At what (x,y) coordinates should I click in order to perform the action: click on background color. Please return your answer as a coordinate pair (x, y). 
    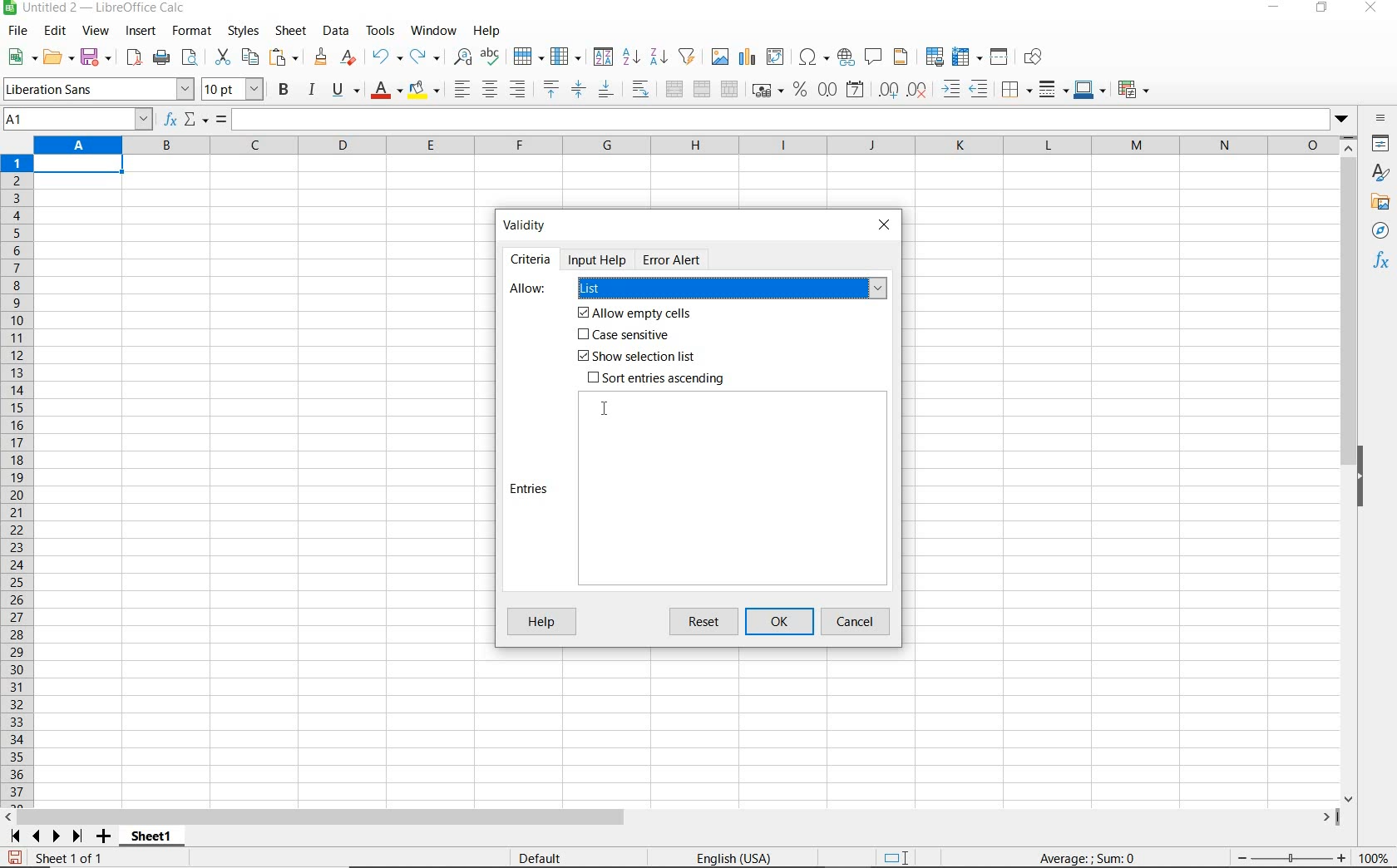
    Looking at the image, I should click on (423, 91).